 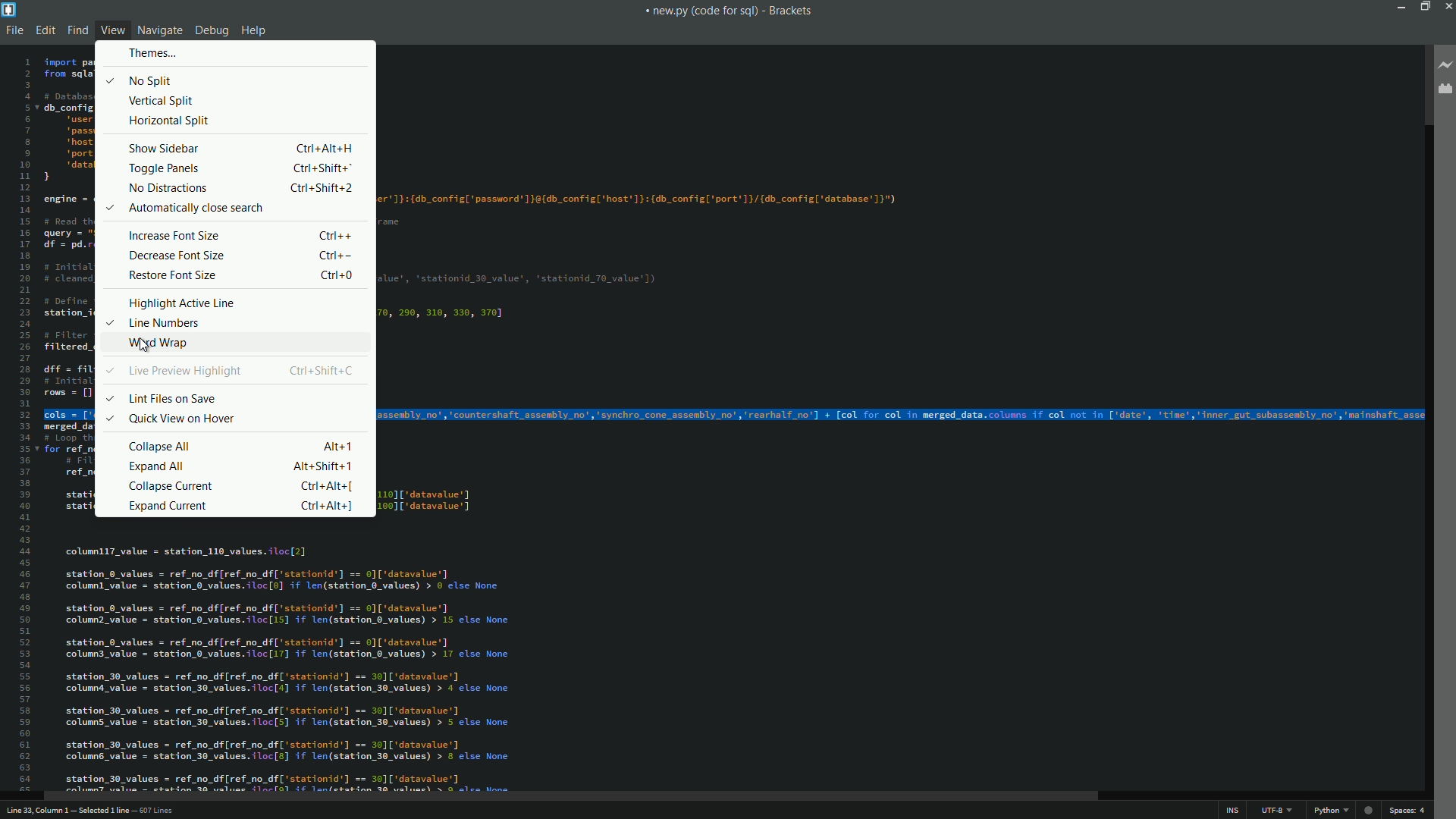 What do you see at coordinates (166, 189) in the screenshot?
I see `no distractions` at bounding box center [166, 189].